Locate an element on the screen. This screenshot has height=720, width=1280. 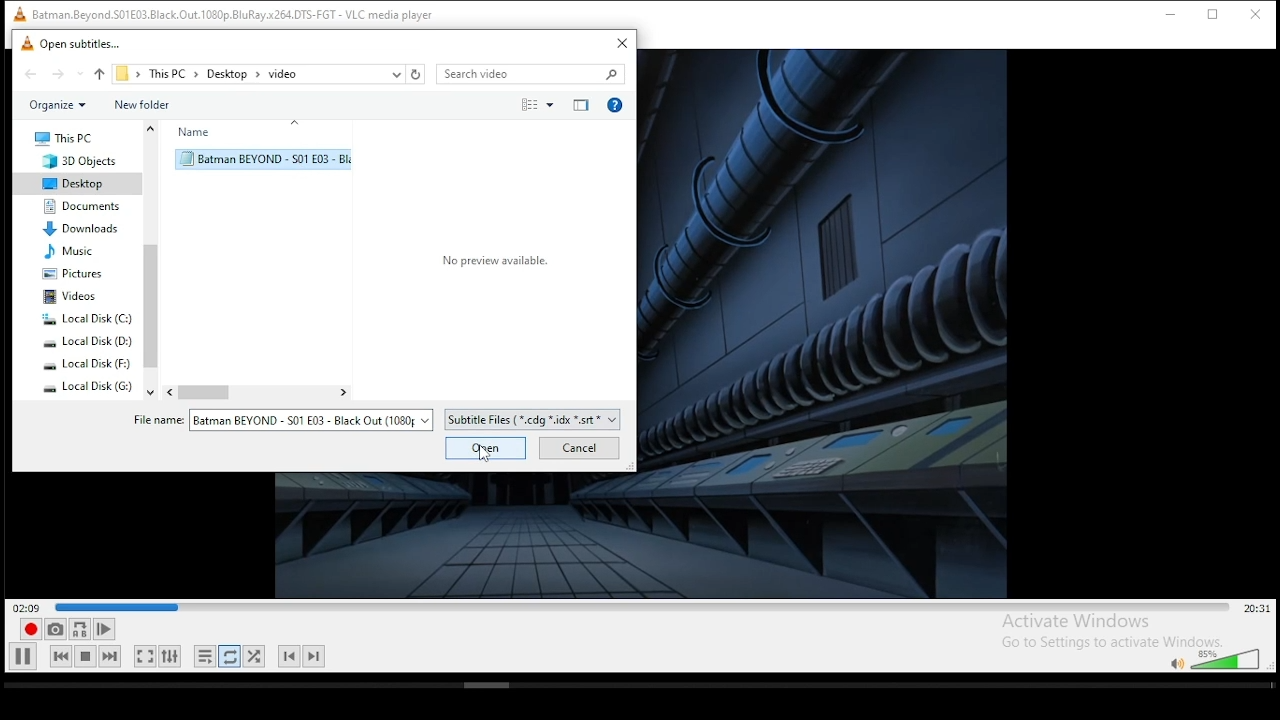
record is located at coordinates (31, 629).